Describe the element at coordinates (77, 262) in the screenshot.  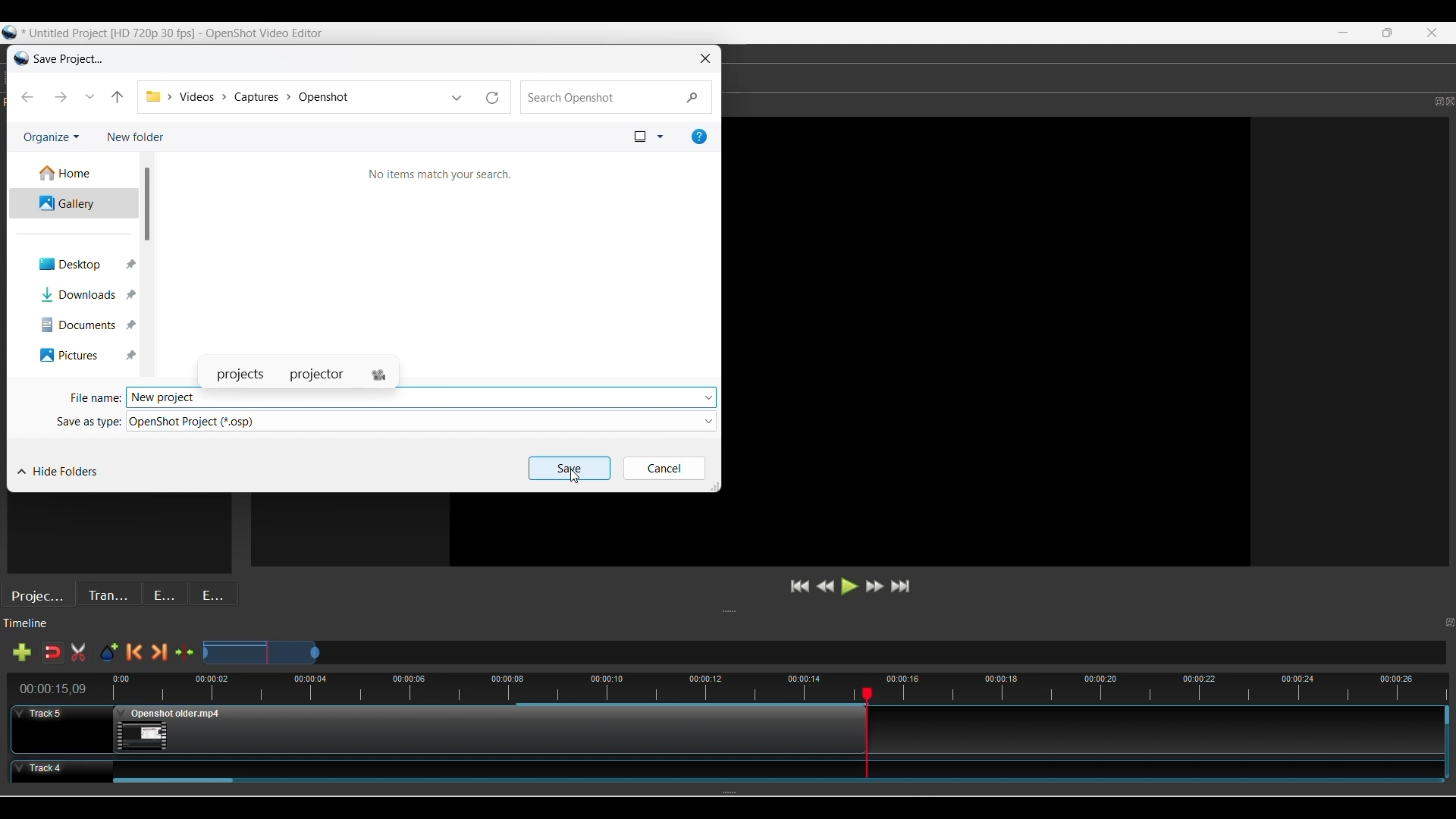
I see `Desktop` at that location.